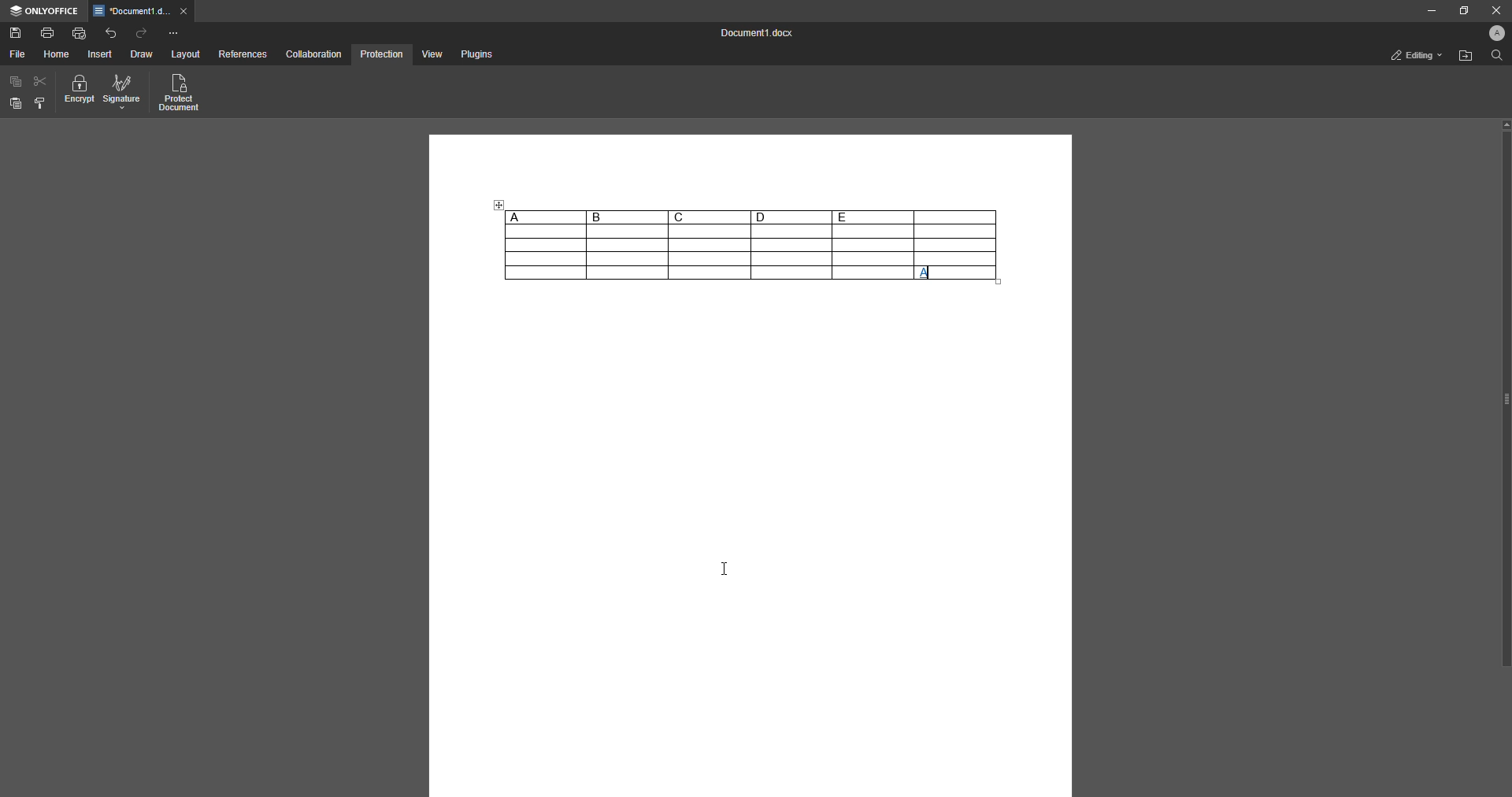 This screenshot has height=797, width=1512. What do you see at coordinates (111, 32) in the screenshot?
I see `Undo` at bounding box center [111, 32].